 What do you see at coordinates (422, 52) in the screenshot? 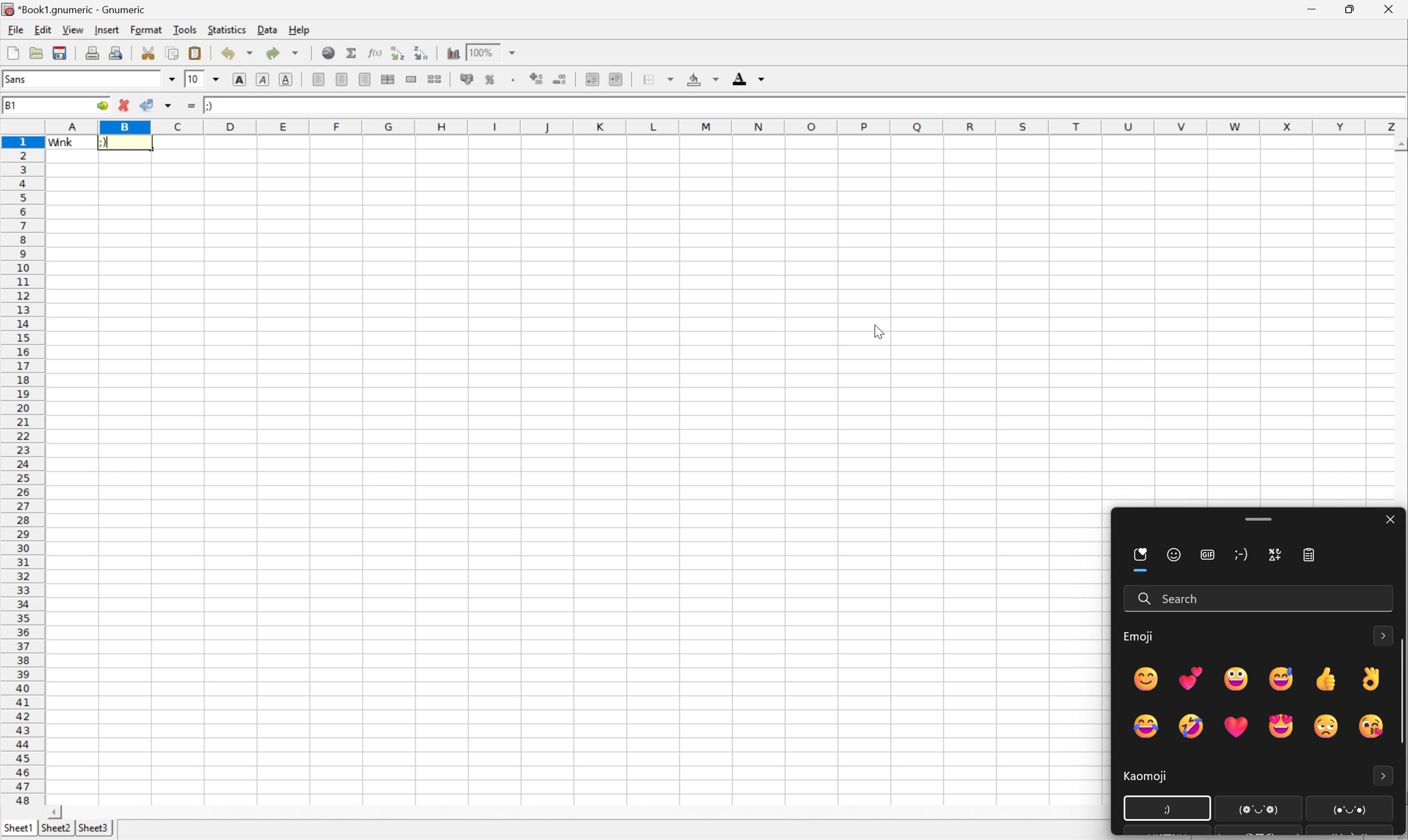
I see `Sort the selected region in descending order based on the first column selected` at bounding box center [422, 52].